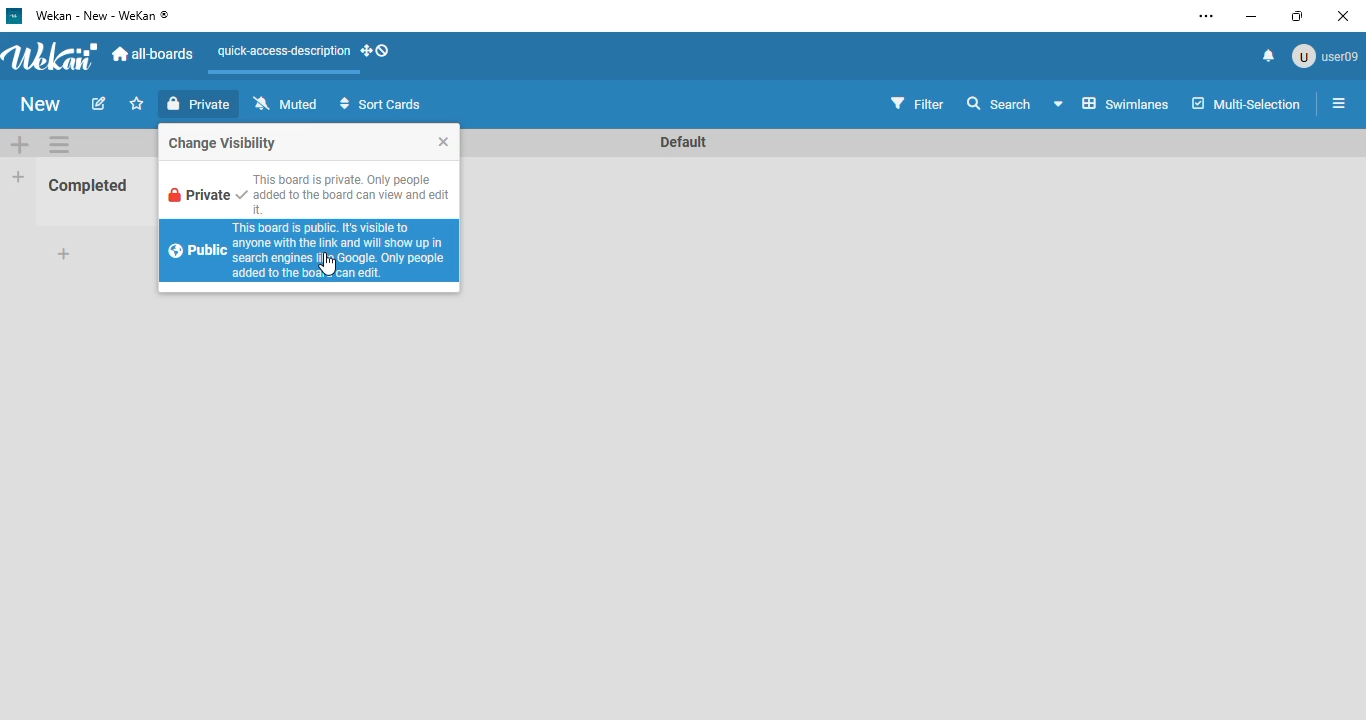  Describe the element at coordinates (1339, 102) in the screenshot. I see `open sidebar or close sidebar` at that location.